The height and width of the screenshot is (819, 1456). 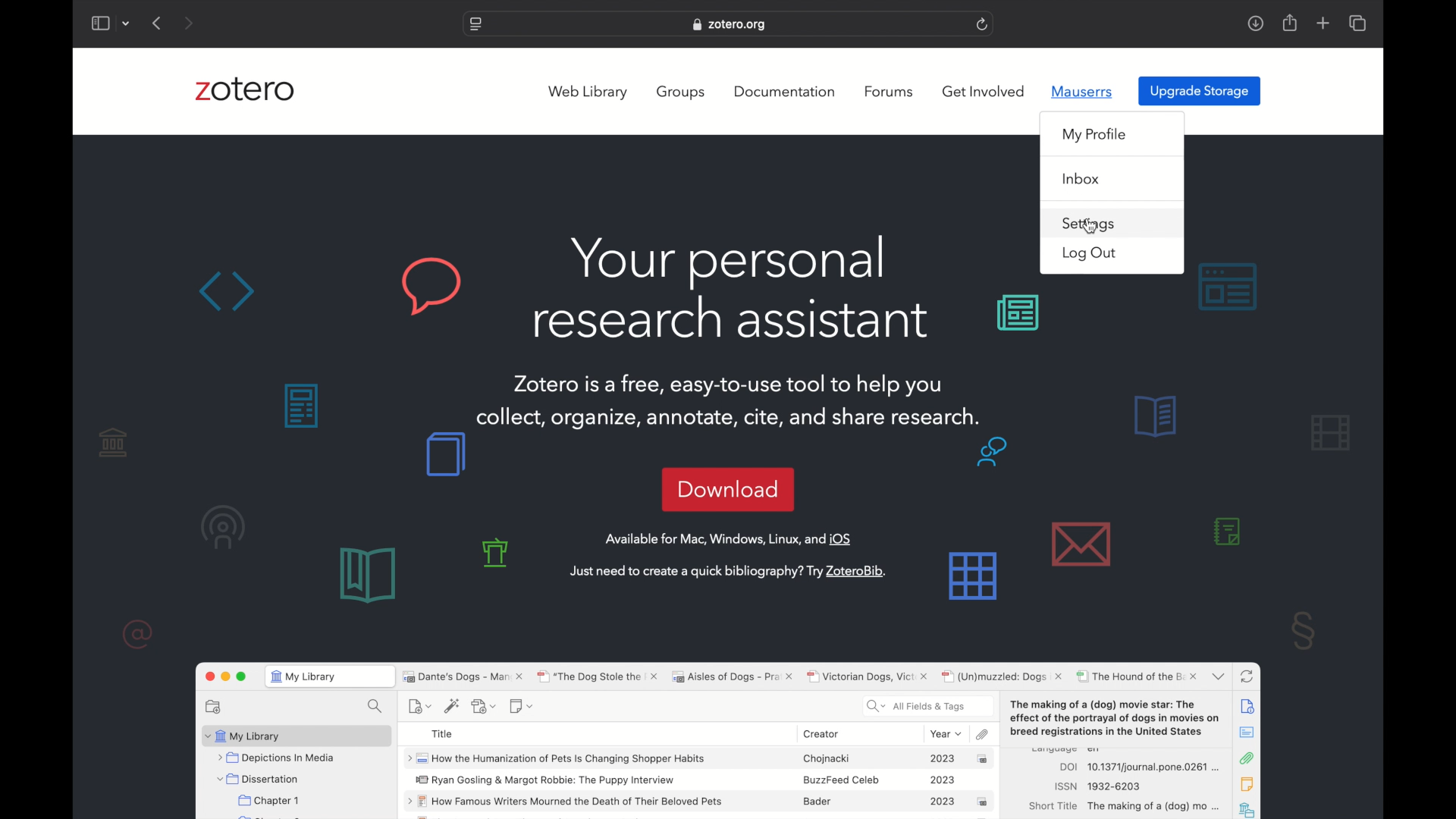 I want to click on get involved, so click(x=984, y=91).